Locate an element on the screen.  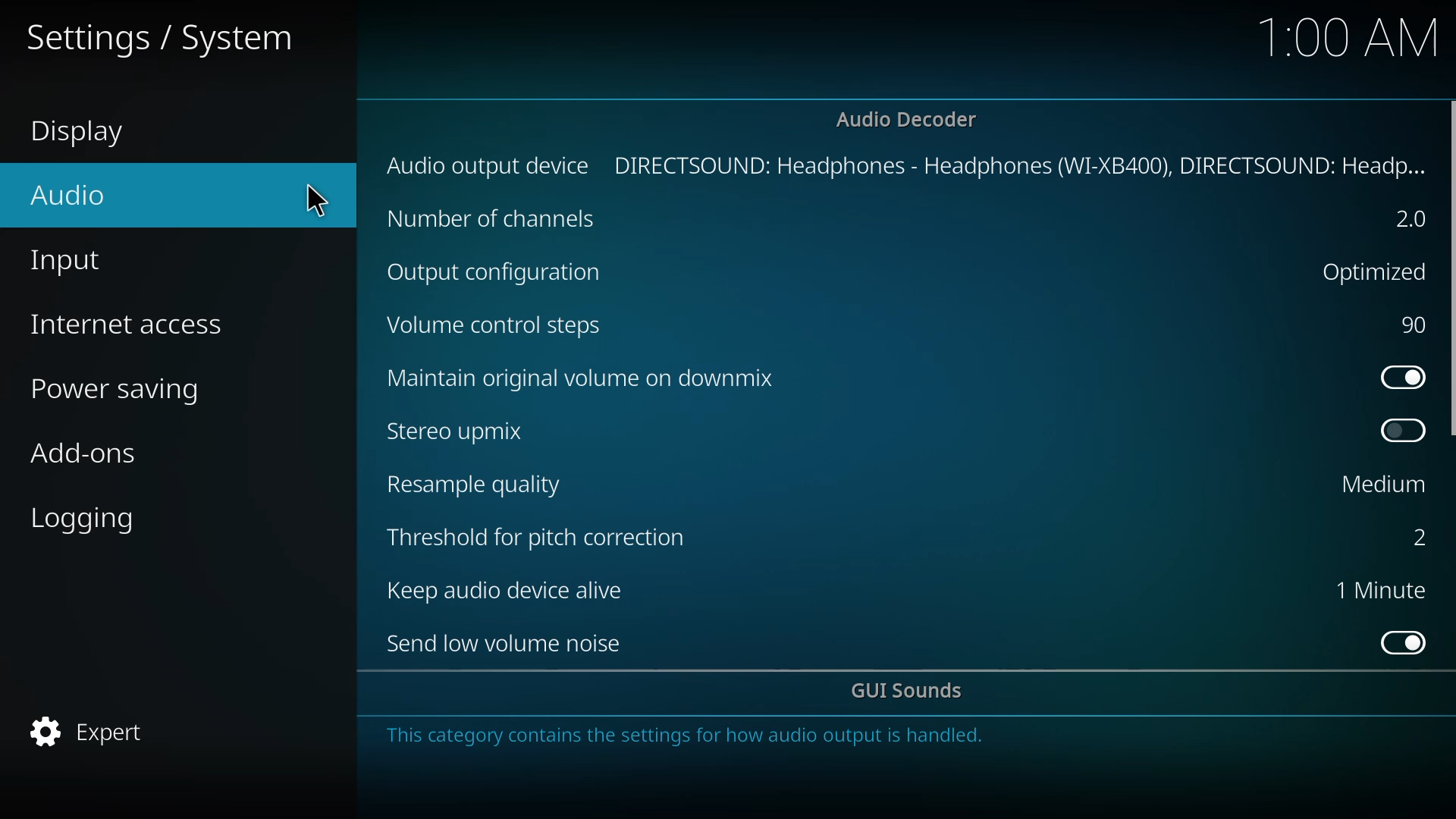
no of chanel is located at coordinates (492, 221).